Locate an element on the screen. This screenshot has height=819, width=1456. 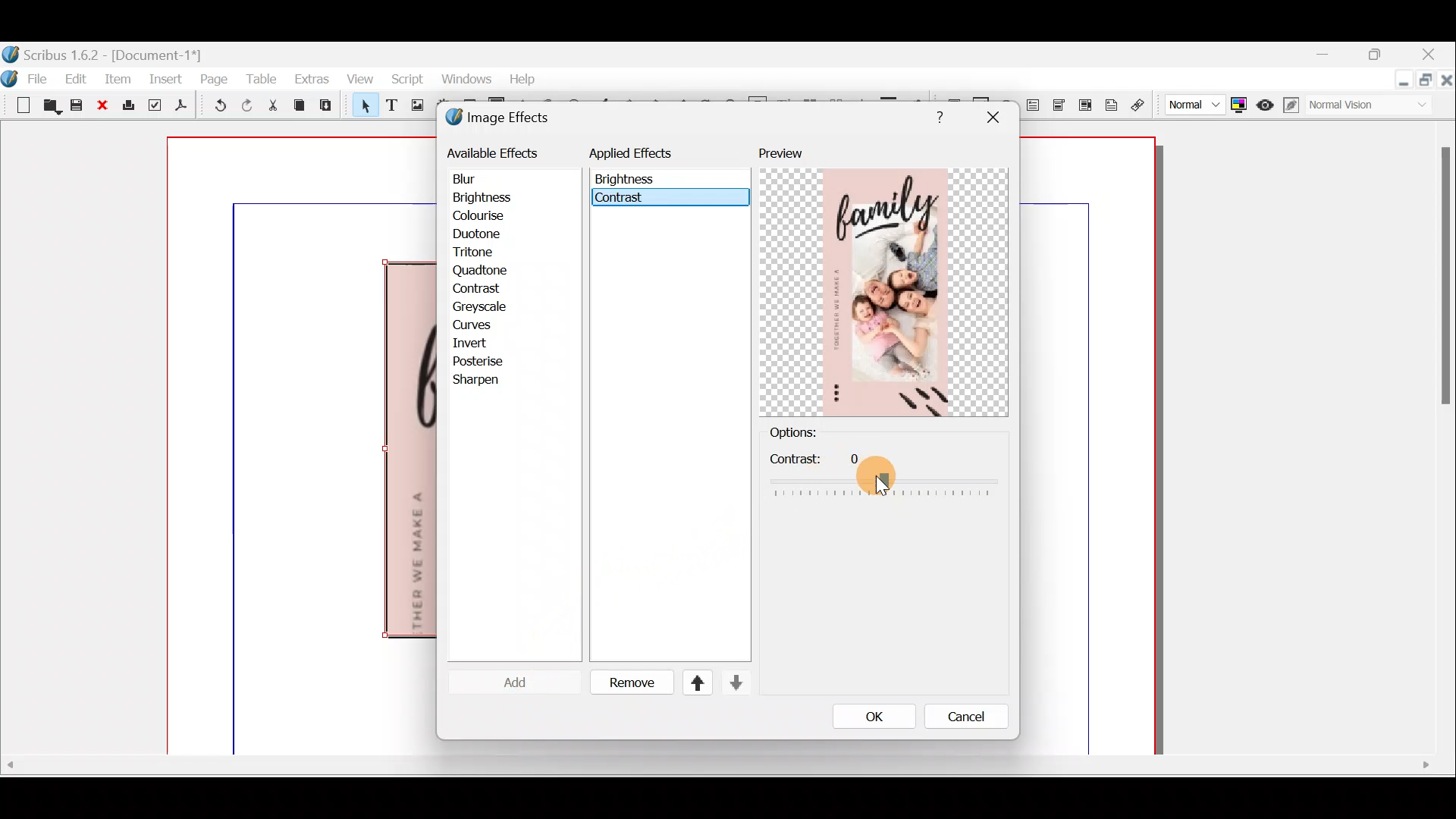
Help is located at coordinates (522, 77).